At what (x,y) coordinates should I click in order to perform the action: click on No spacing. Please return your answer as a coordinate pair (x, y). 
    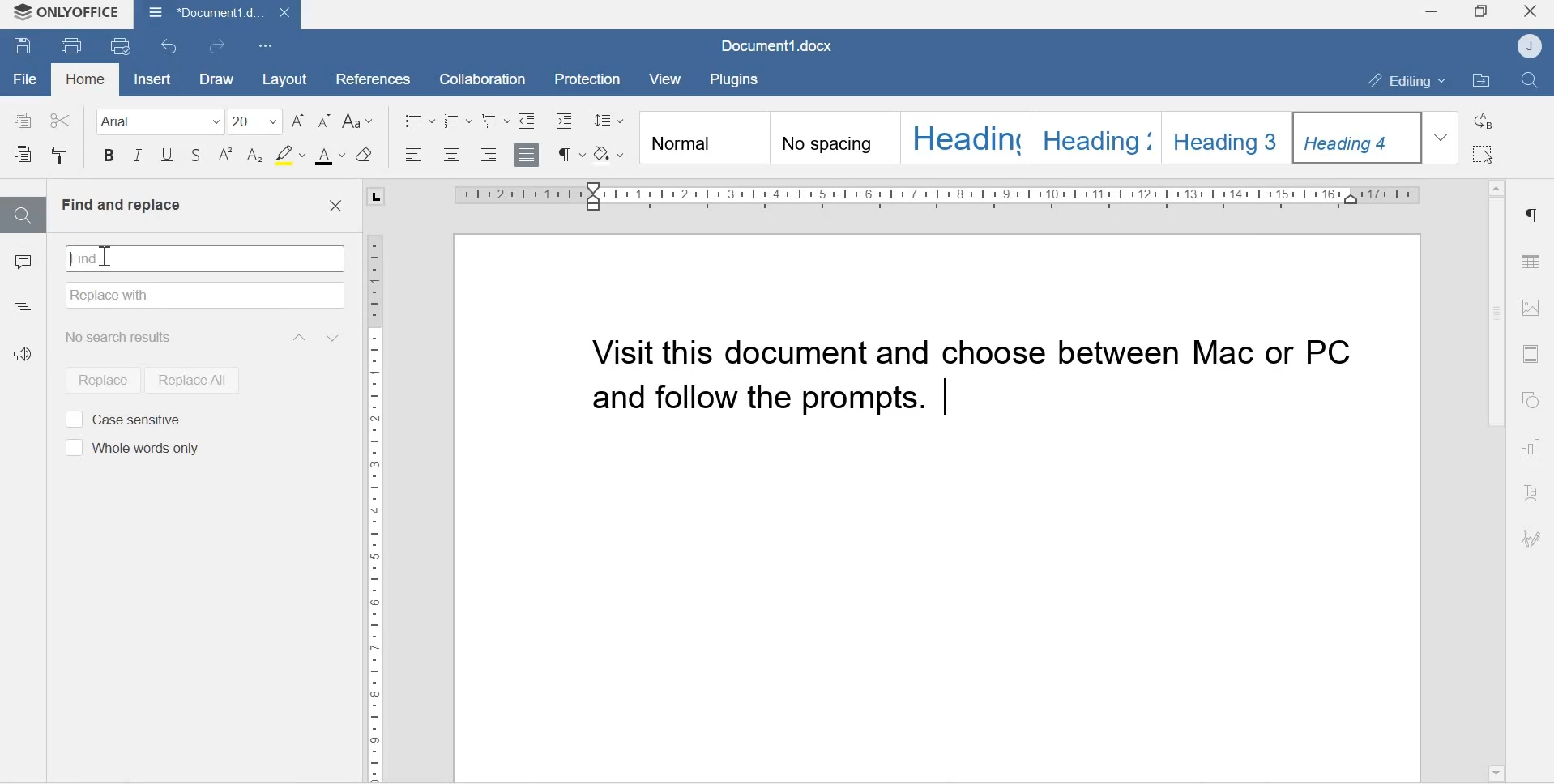
    Looking at the image, I should click on (835, 140).